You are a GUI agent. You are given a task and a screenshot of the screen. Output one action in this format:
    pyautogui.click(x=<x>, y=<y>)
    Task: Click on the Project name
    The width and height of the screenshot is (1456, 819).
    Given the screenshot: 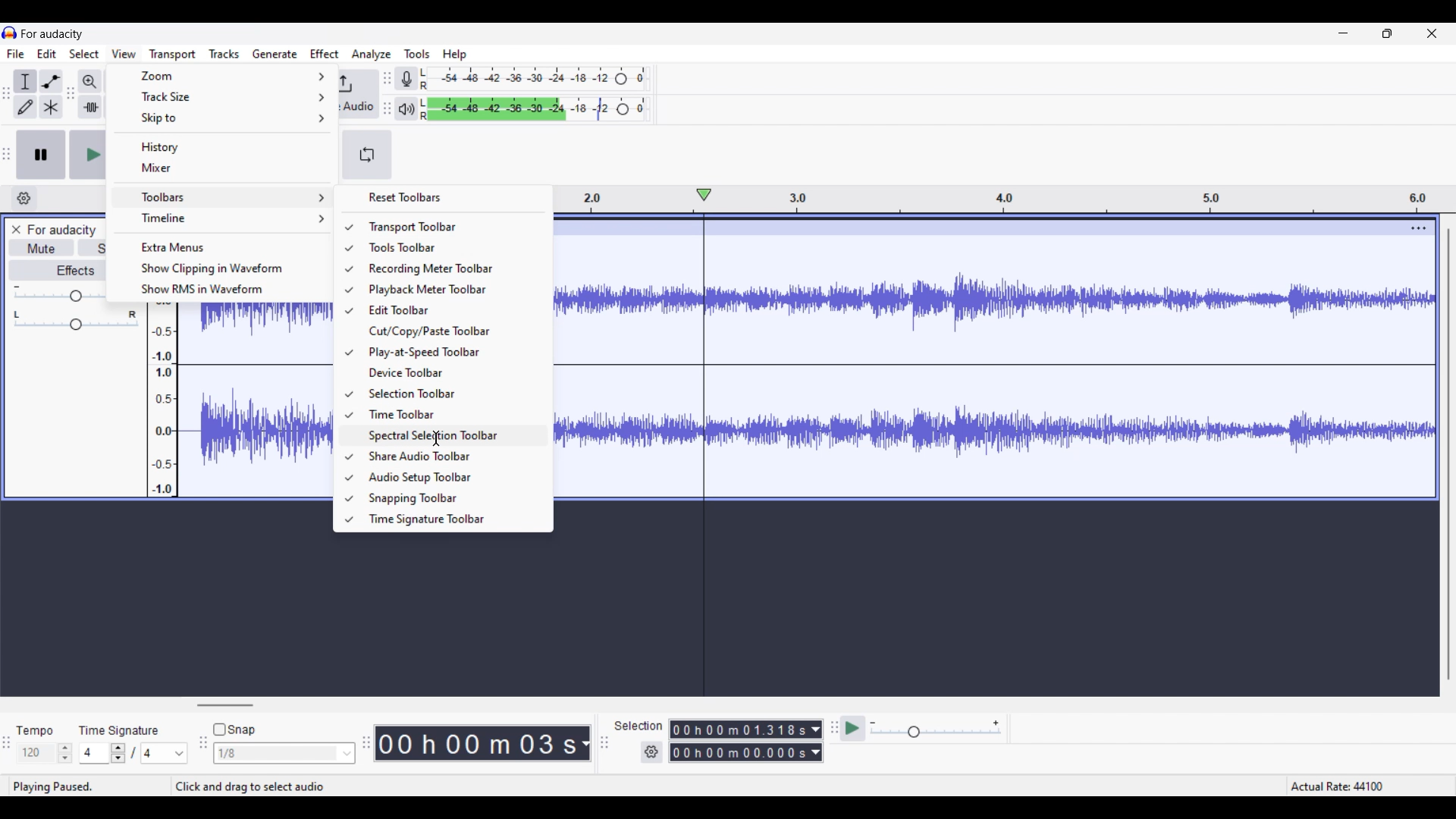 What is the action you would take?
    pyautogui.click(x=61, y=230)
    